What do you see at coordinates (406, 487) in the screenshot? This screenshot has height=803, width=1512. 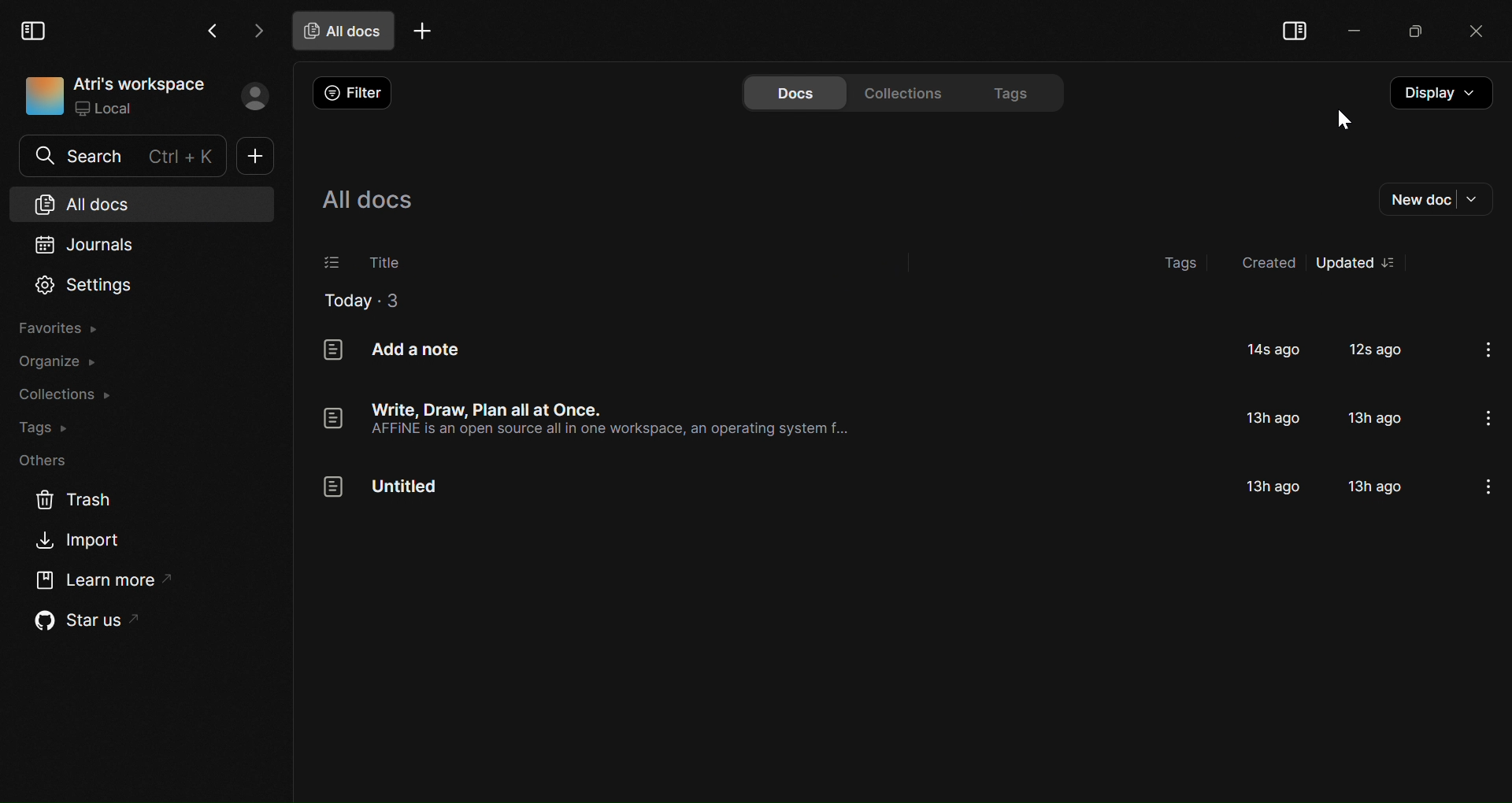 I see `Untitled` at bounding box center [406, 487].